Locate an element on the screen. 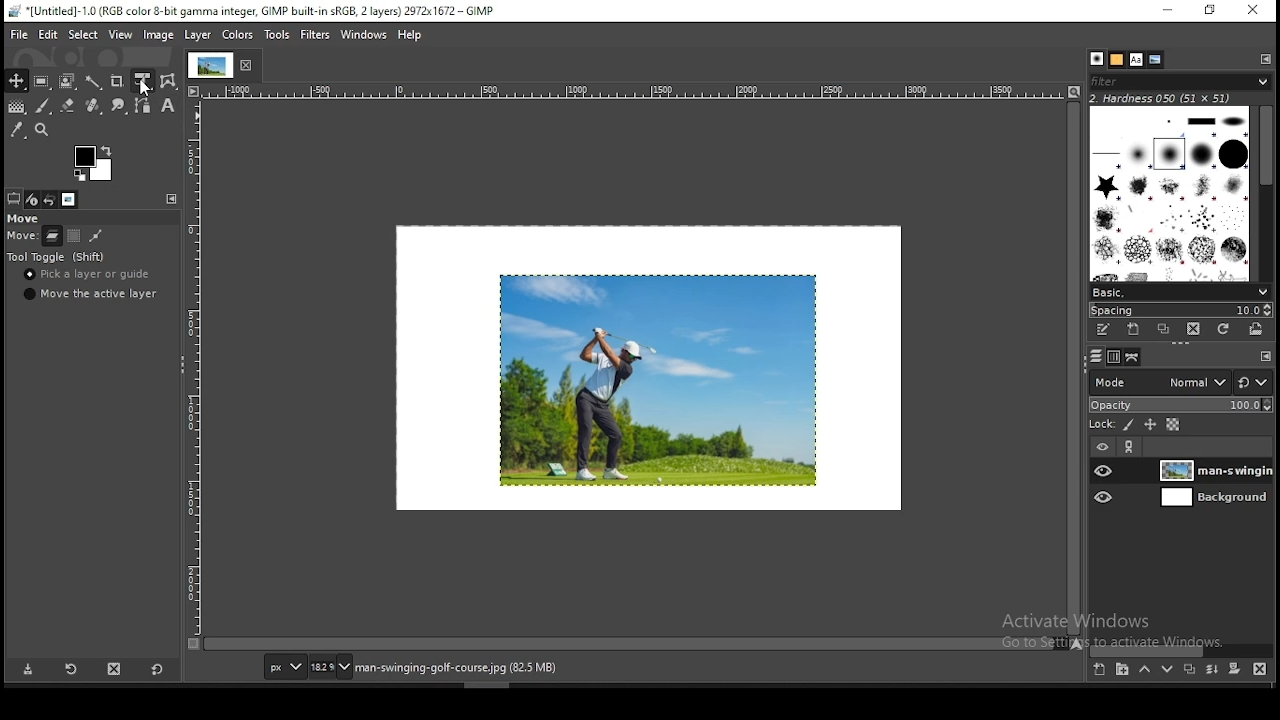 Image resolution: width=1280 pixels, height=720 pixels. zoom status is located at coordinates (332, 666).